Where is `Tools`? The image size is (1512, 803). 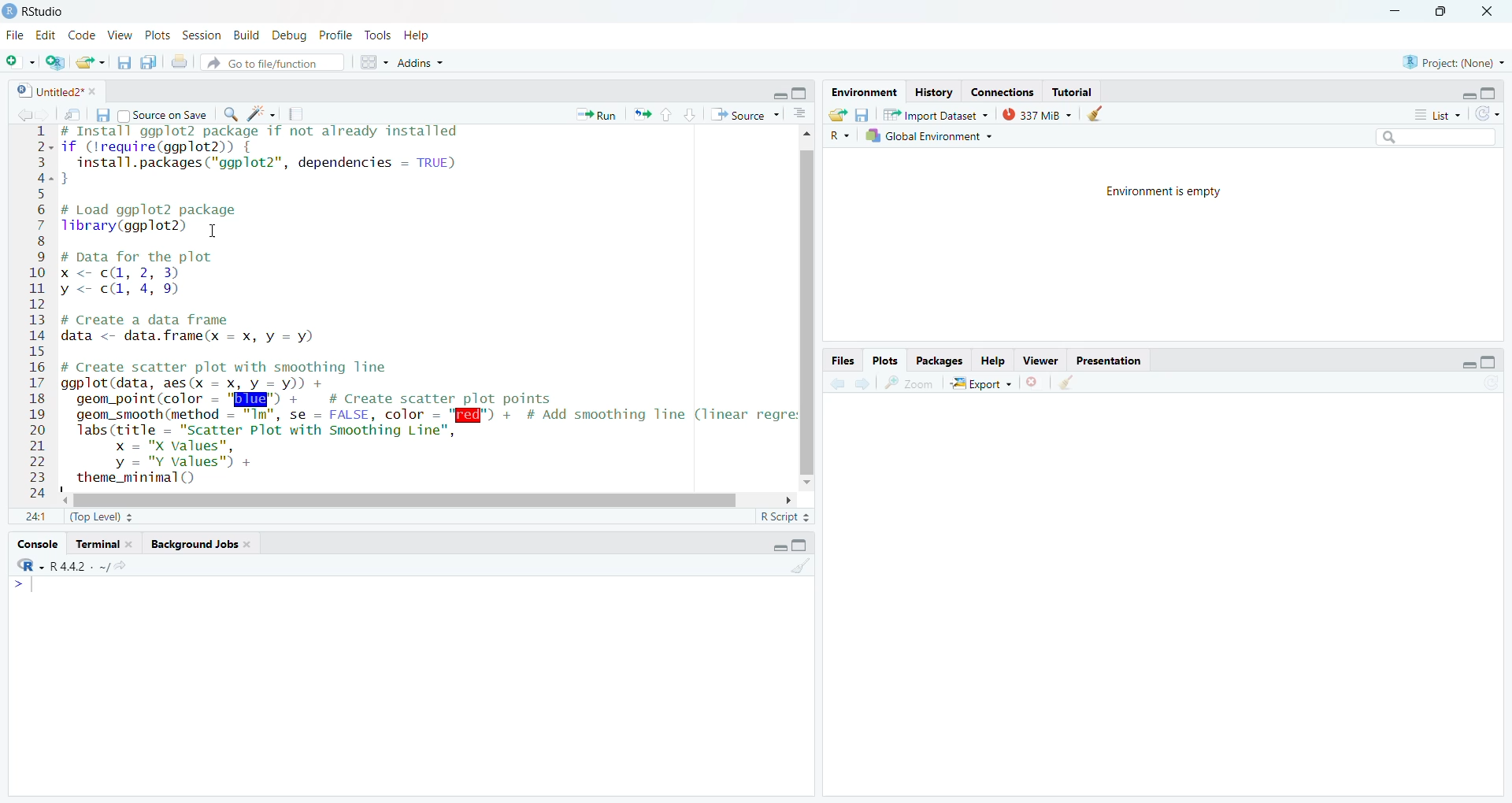 Tools is located at coordinates (376, 37).